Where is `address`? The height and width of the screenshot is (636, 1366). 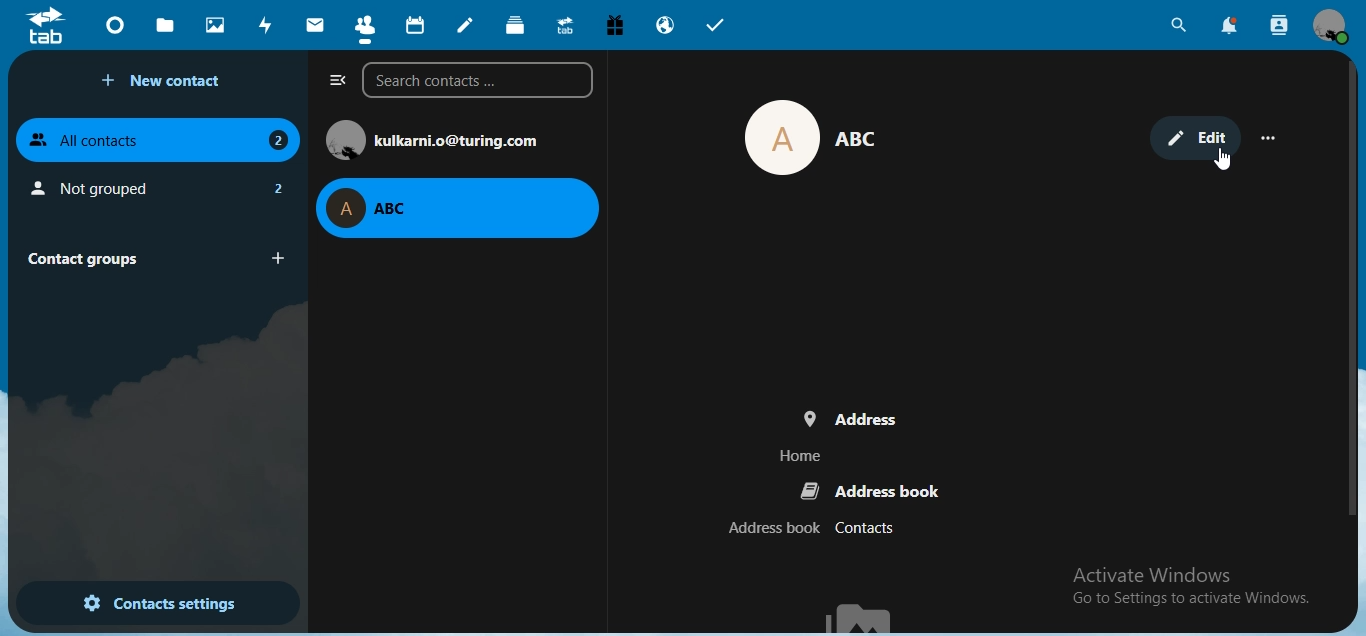
address is located at coordinates (823, 416).